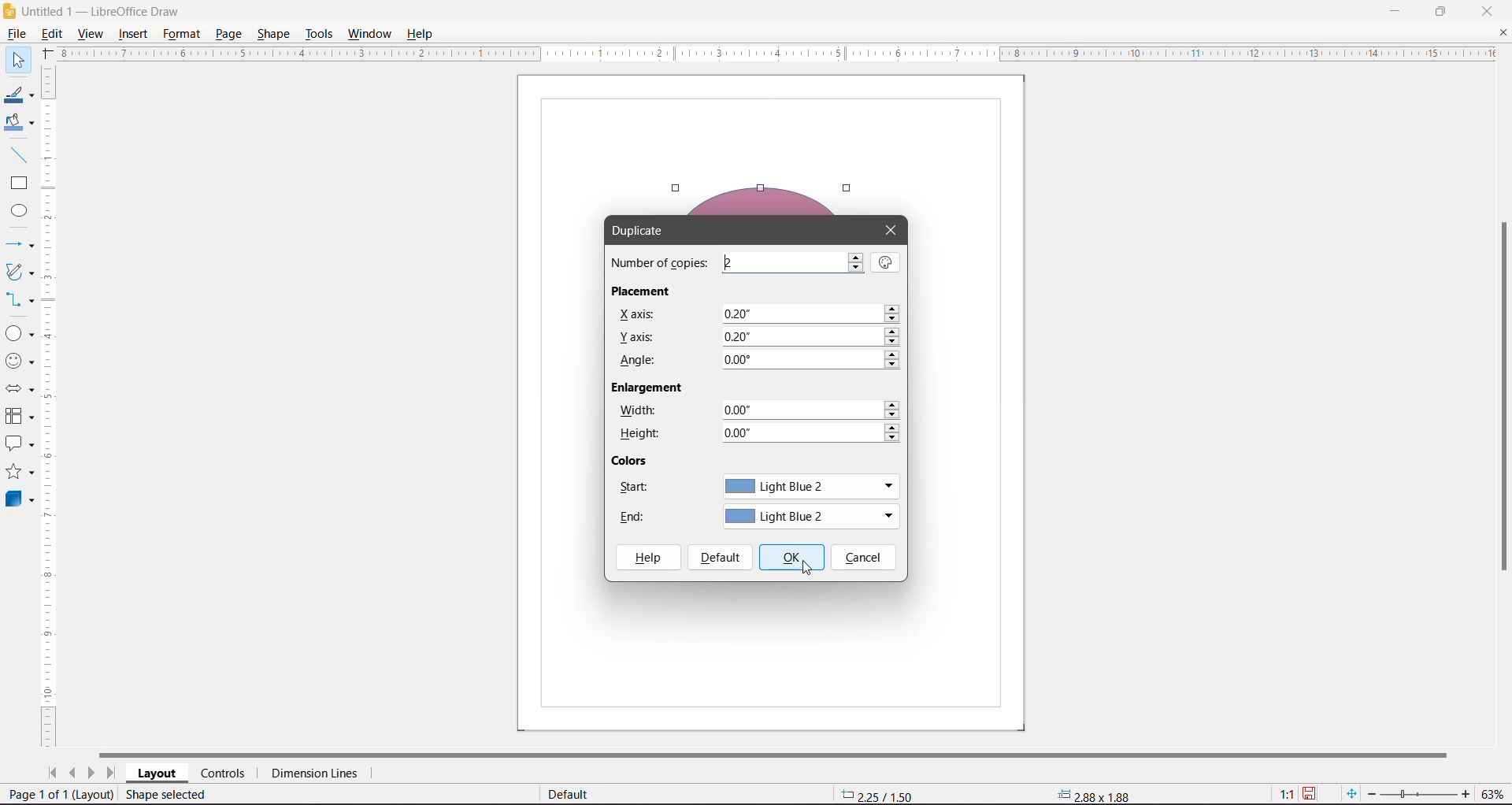 The image size is (1512, 805). What do you see at coordinates (226, 773) in the screenshot?
I see `Controls` at bounding box center [226, 773].